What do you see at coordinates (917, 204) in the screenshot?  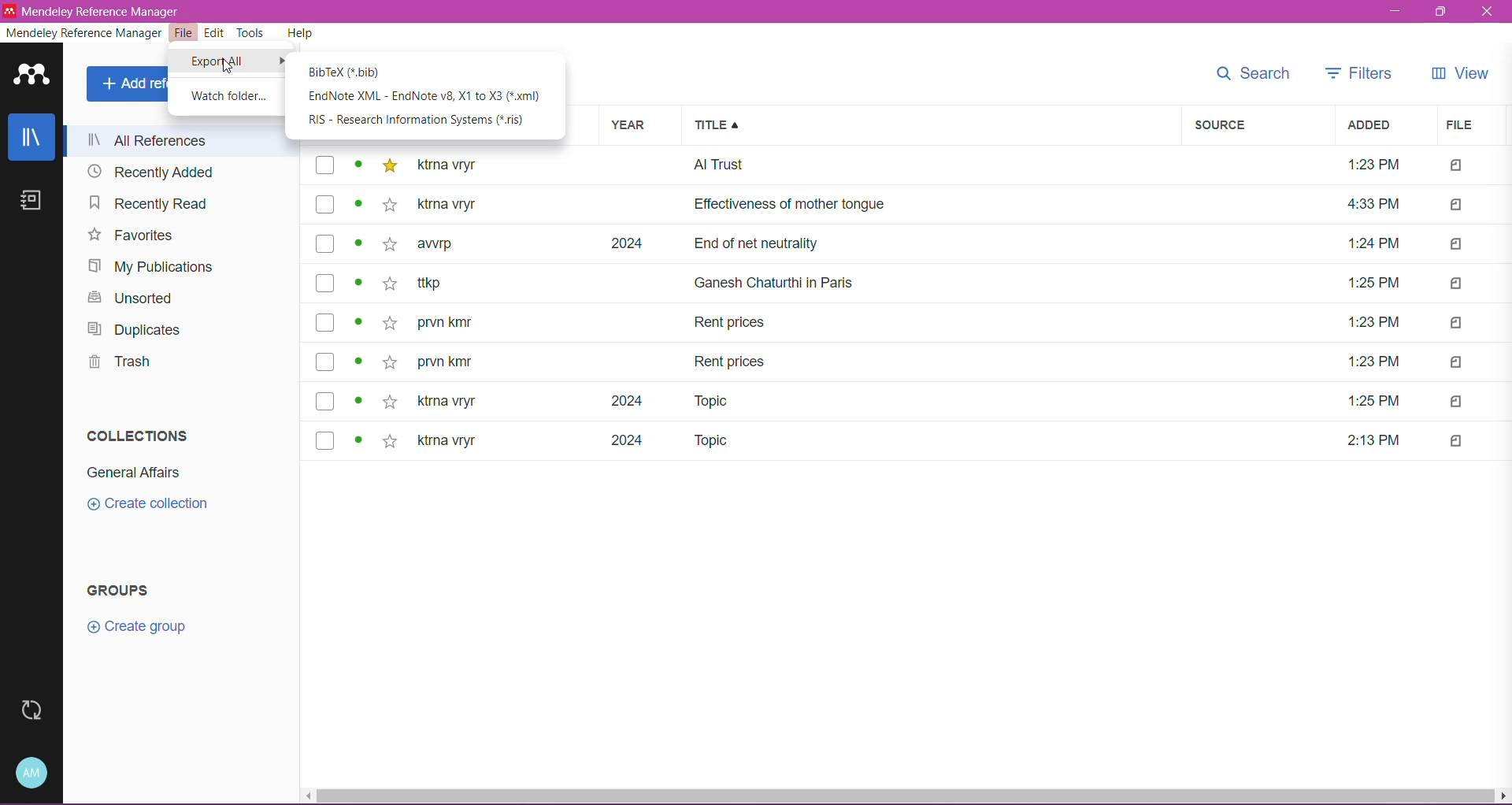 I see `ktrna vryr Effectiveness of mother tongue 4:33 PM` at bounding box center [917, 204].